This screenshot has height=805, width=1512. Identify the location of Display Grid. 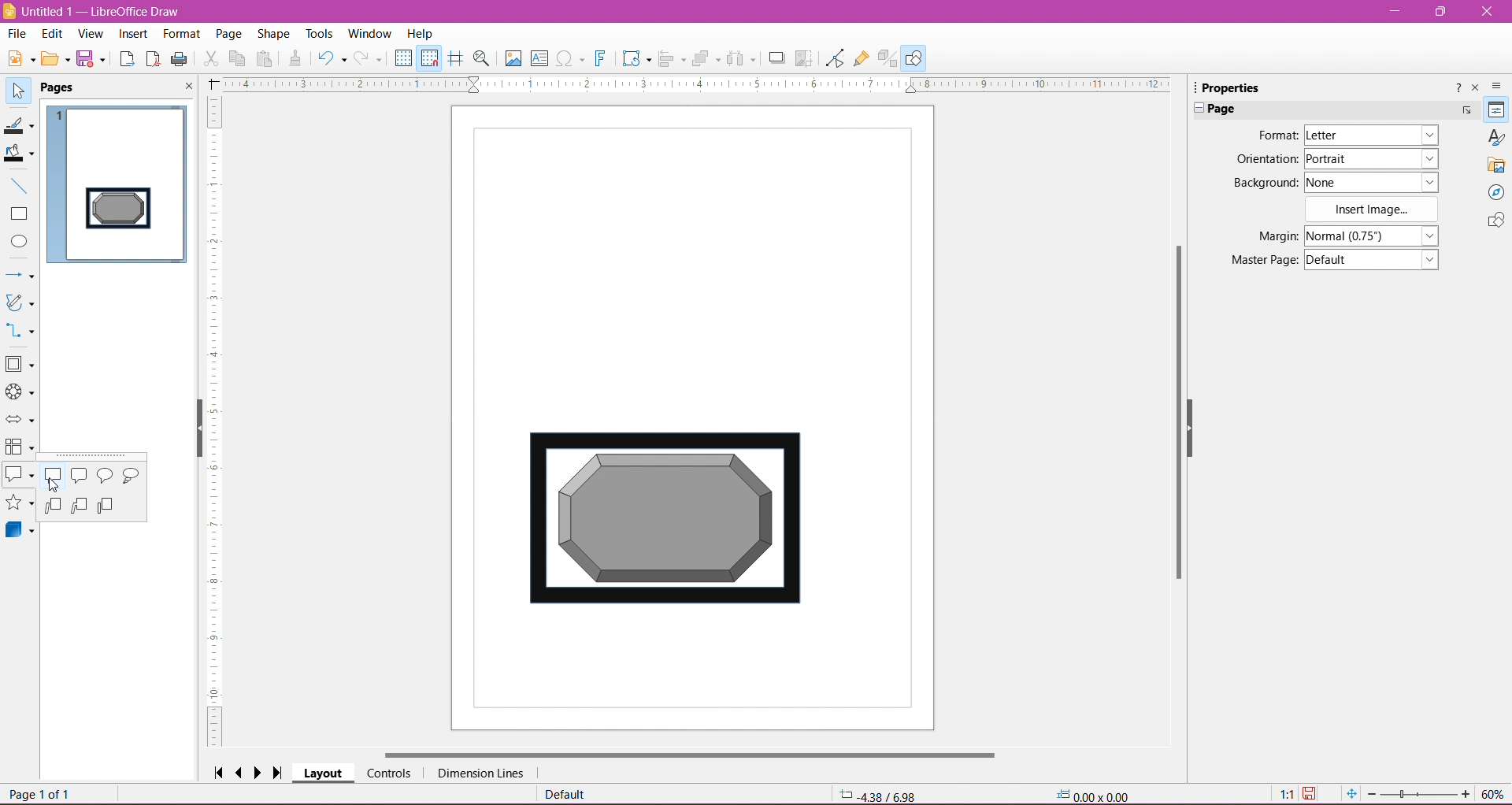
(403, 60).